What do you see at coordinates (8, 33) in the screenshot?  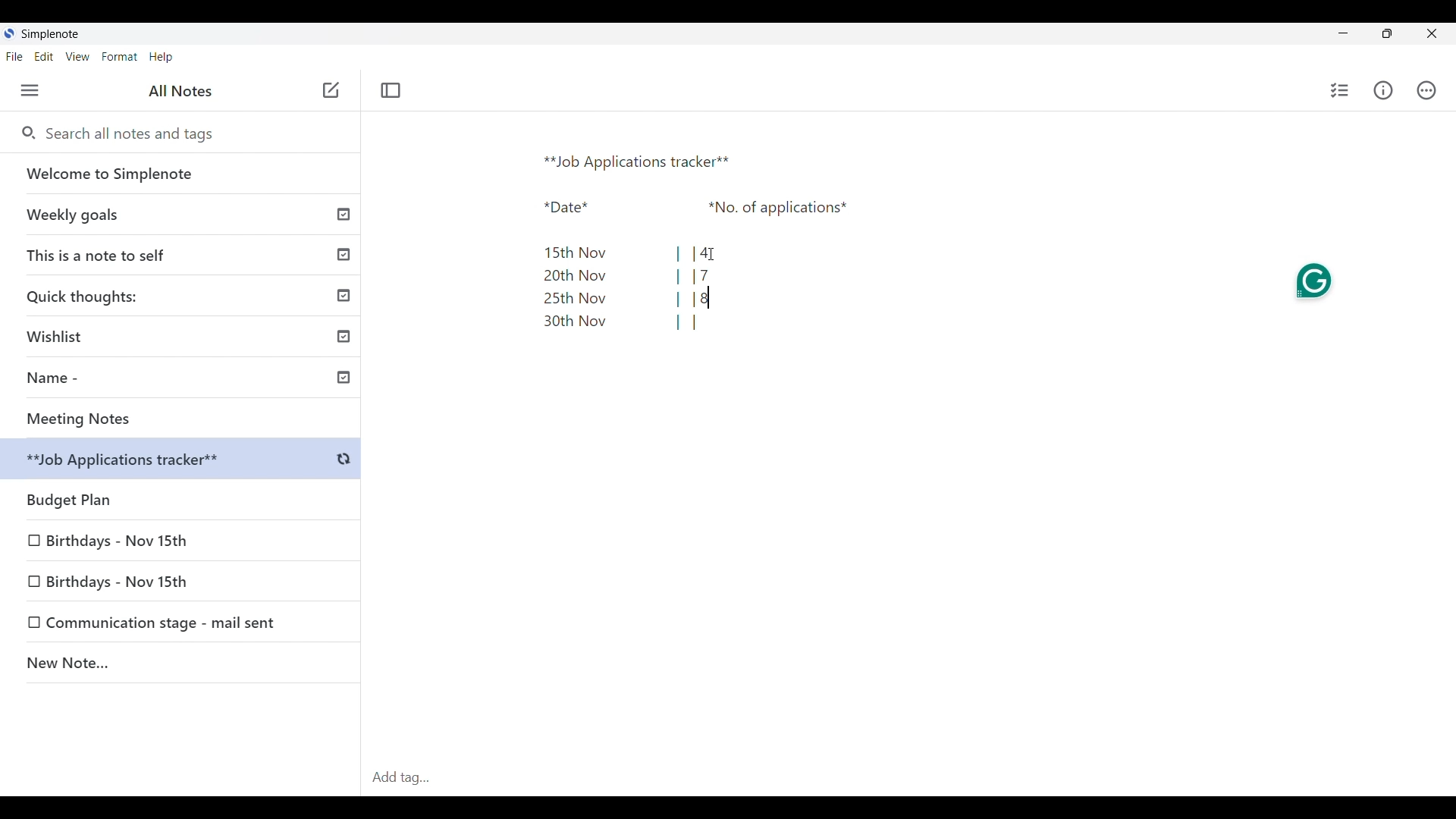 I see `Software logo` at bounding box center [8, 33].